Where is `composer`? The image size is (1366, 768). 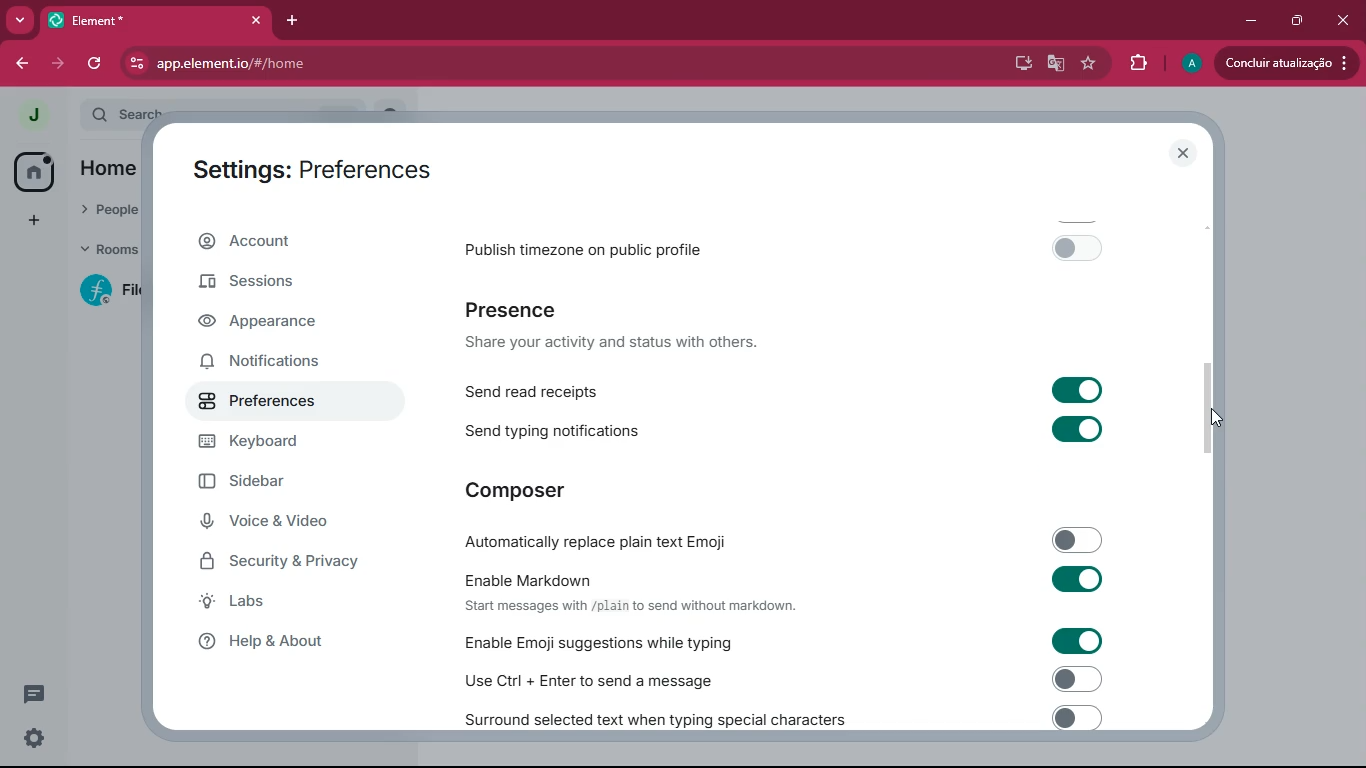
composer is located at coordinates (519, 489).